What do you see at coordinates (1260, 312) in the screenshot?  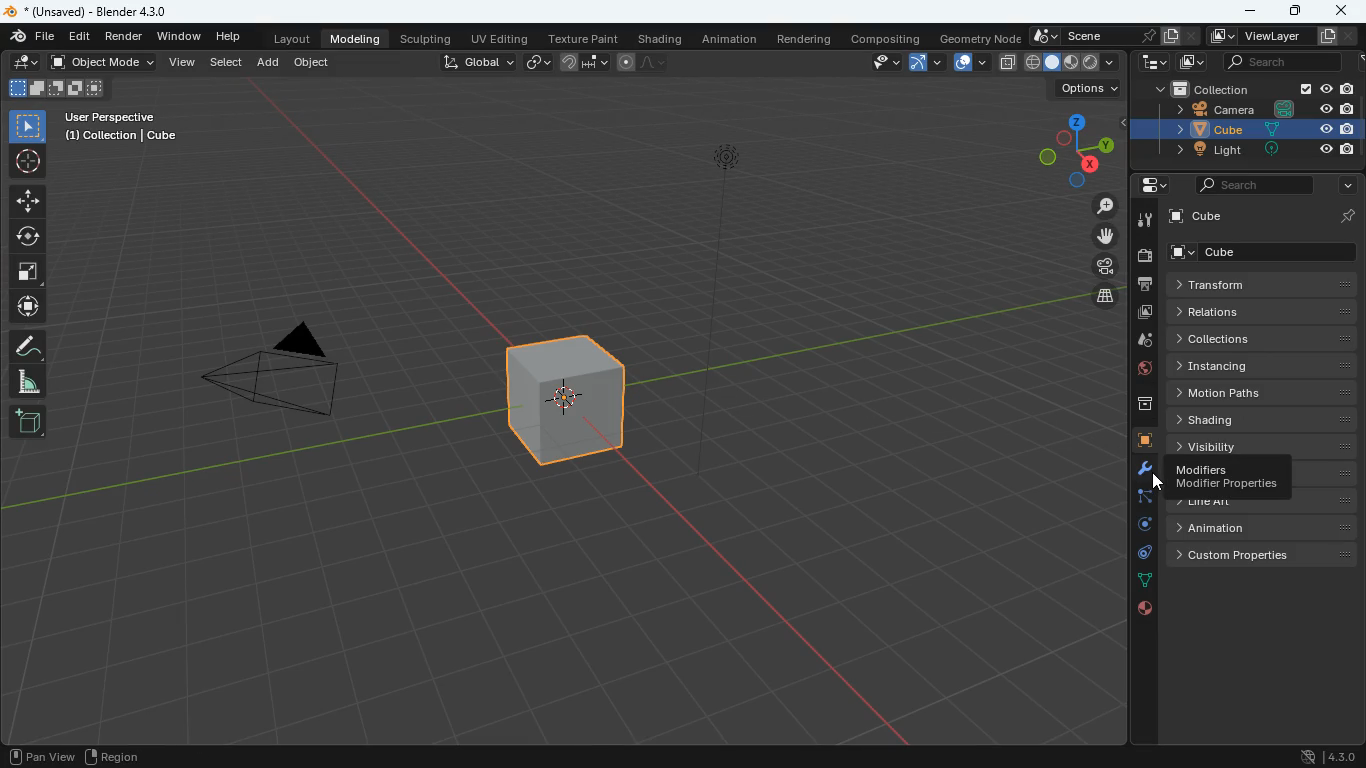 I see `relations` at bounding box center [1260, 312].